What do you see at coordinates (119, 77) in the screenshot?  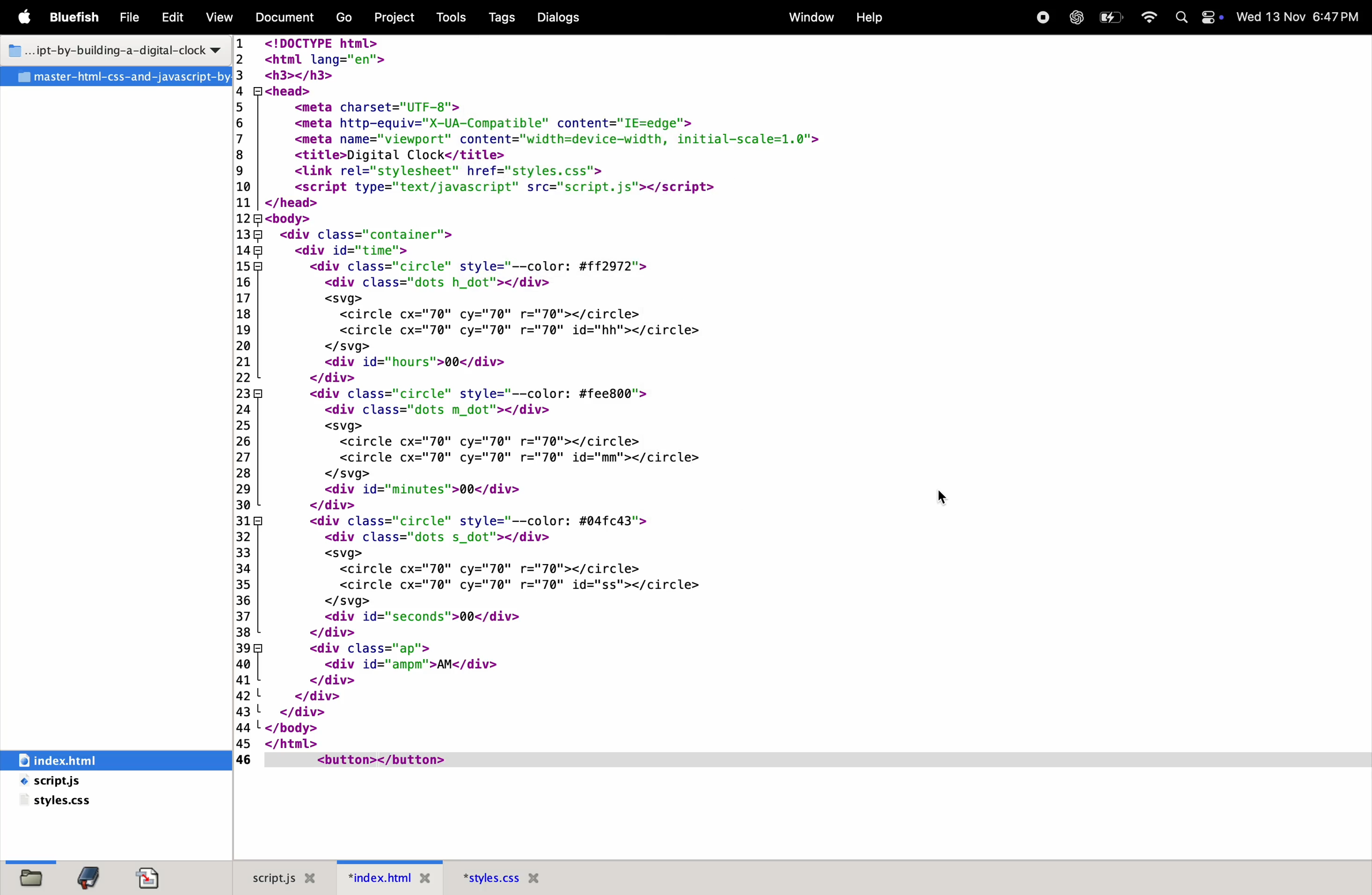 I see `File` at bounding box center [119, 77].